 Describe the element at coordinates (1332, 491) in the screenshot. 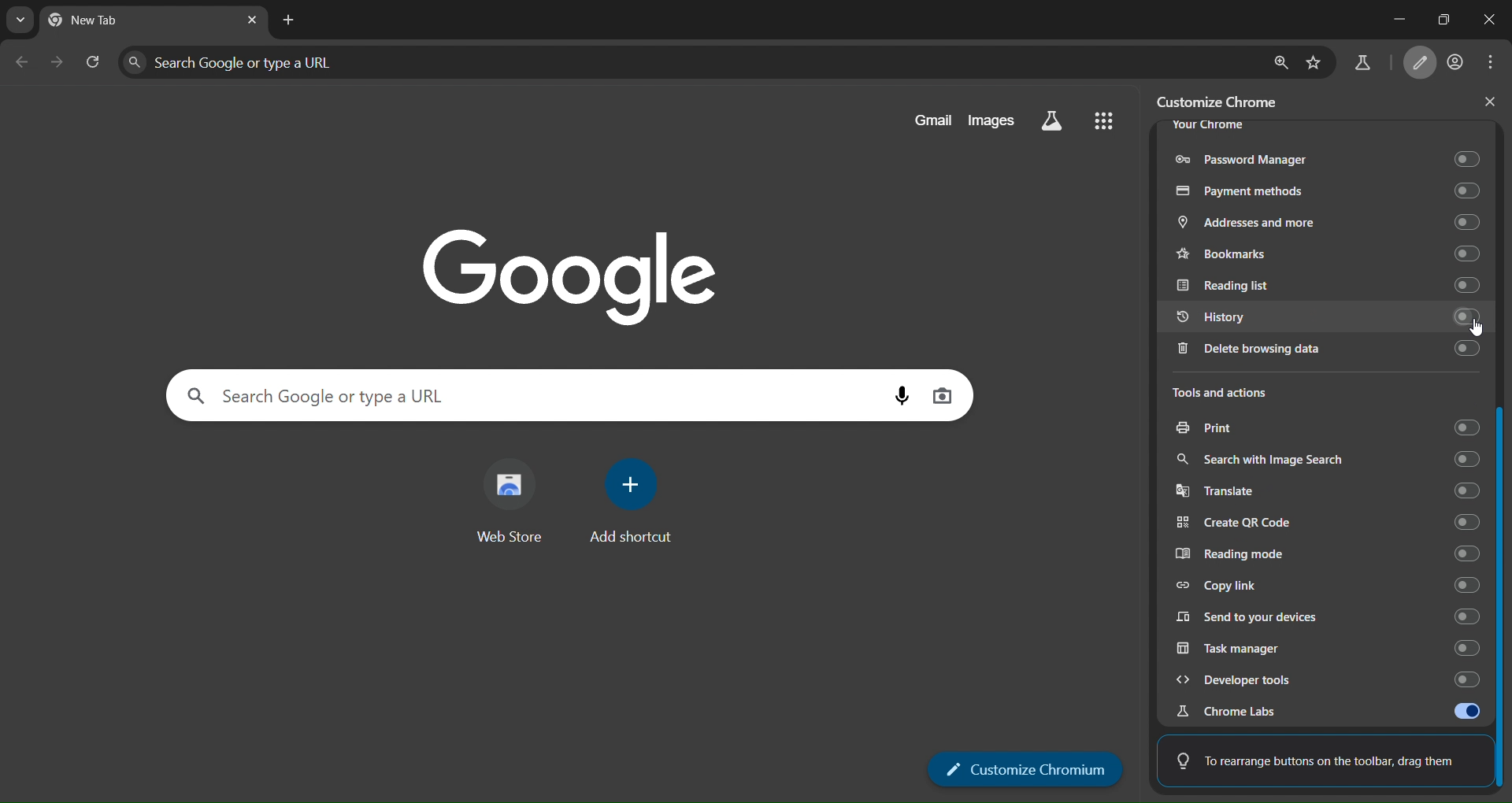

I see `translate` at that location.